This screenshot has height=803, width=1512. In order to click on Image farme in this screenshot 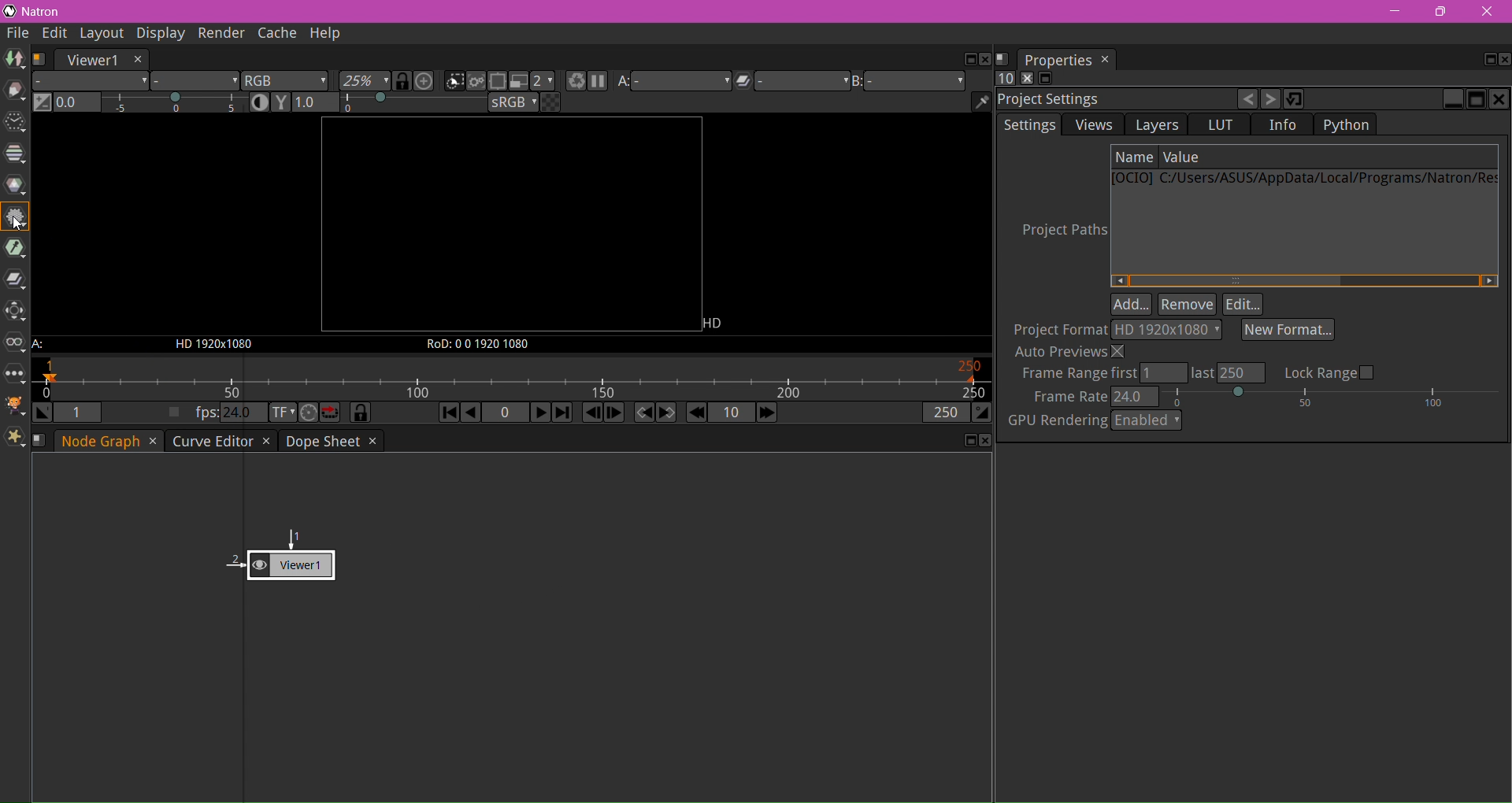, I will do `click(510, 225)`.